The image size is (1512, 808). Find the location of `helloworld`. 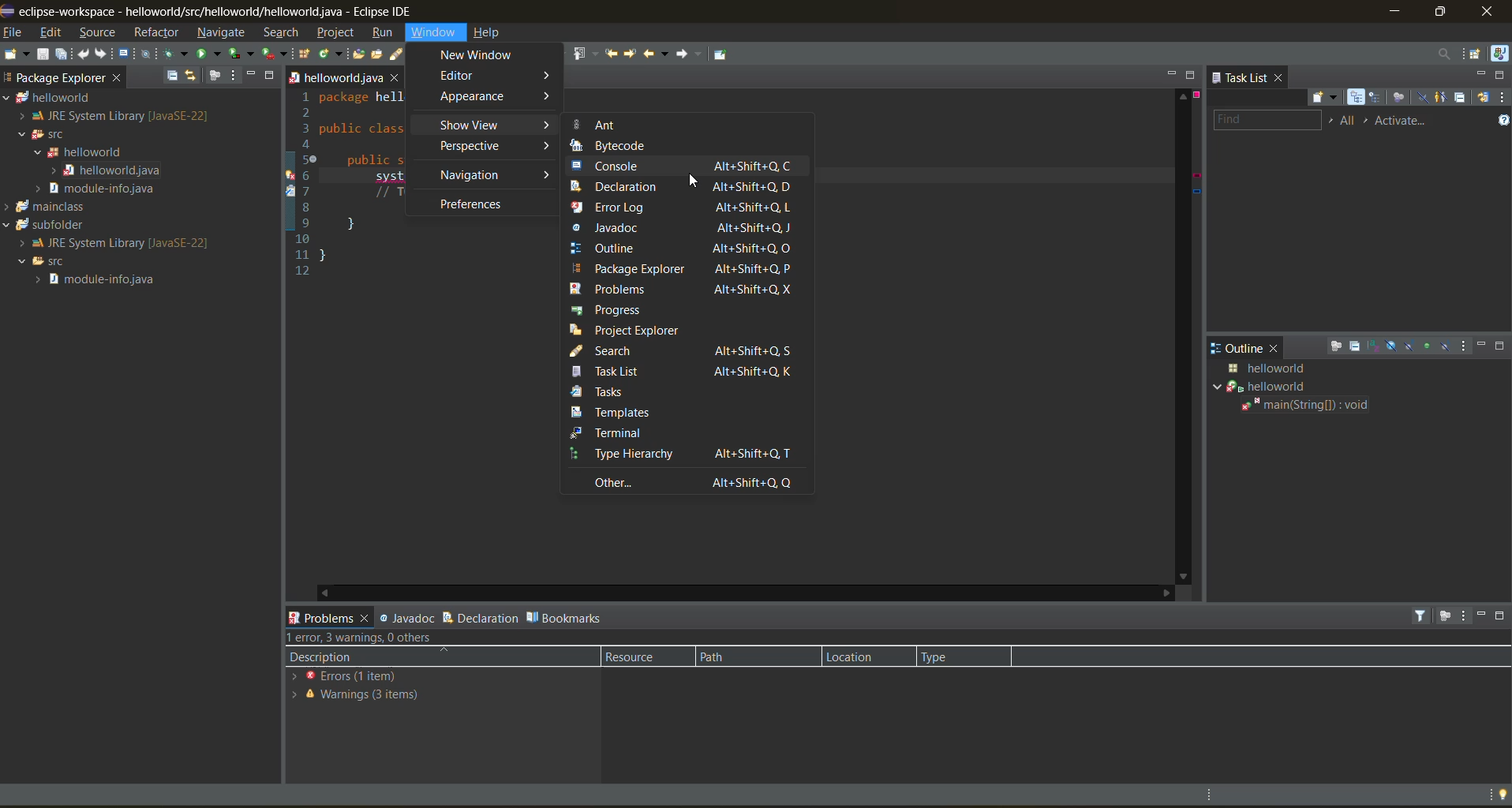

helloworld is located at coordinates (100, 150).